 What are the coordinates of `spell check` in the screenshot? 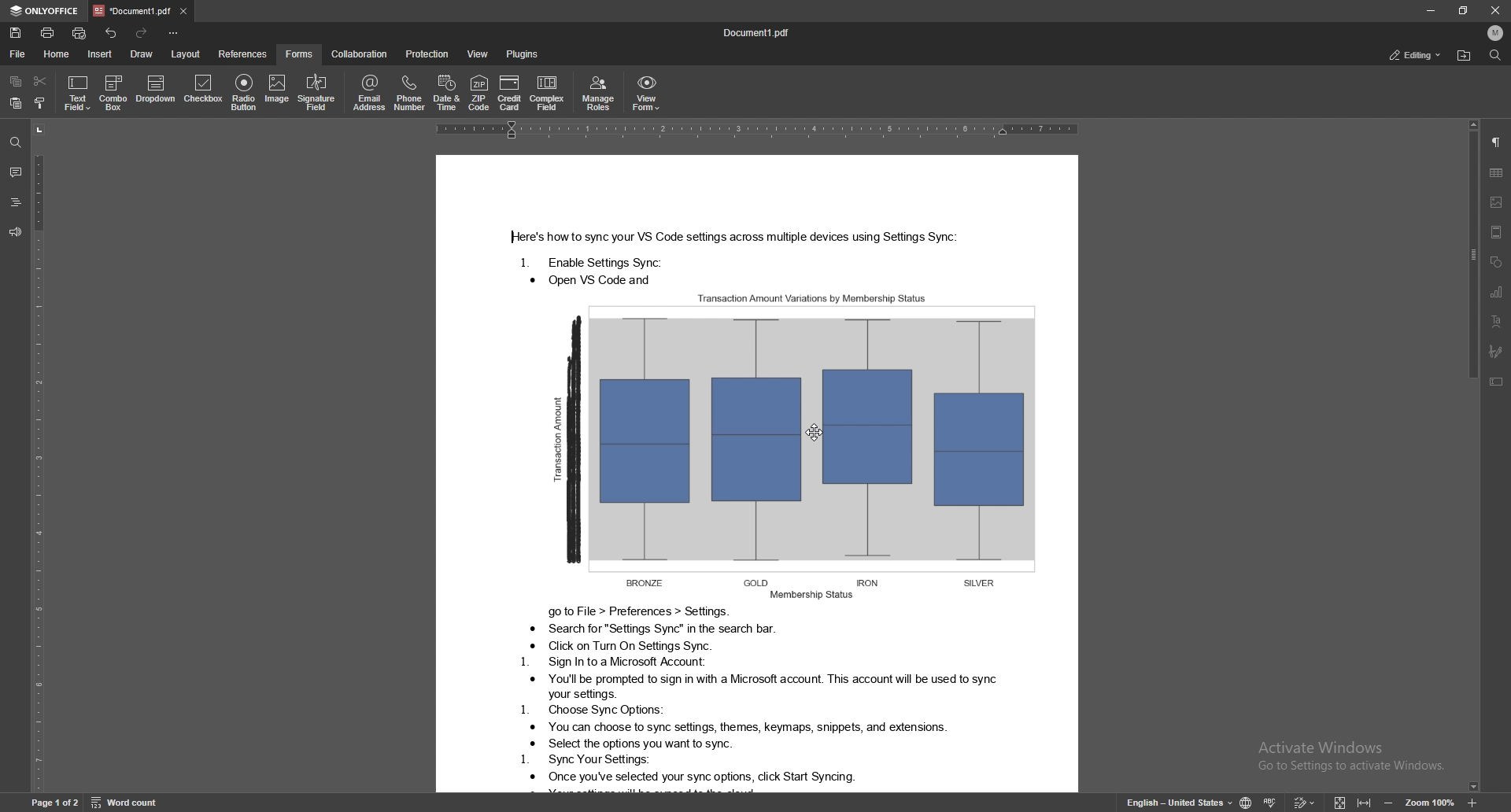 It's located at (1269, 803).